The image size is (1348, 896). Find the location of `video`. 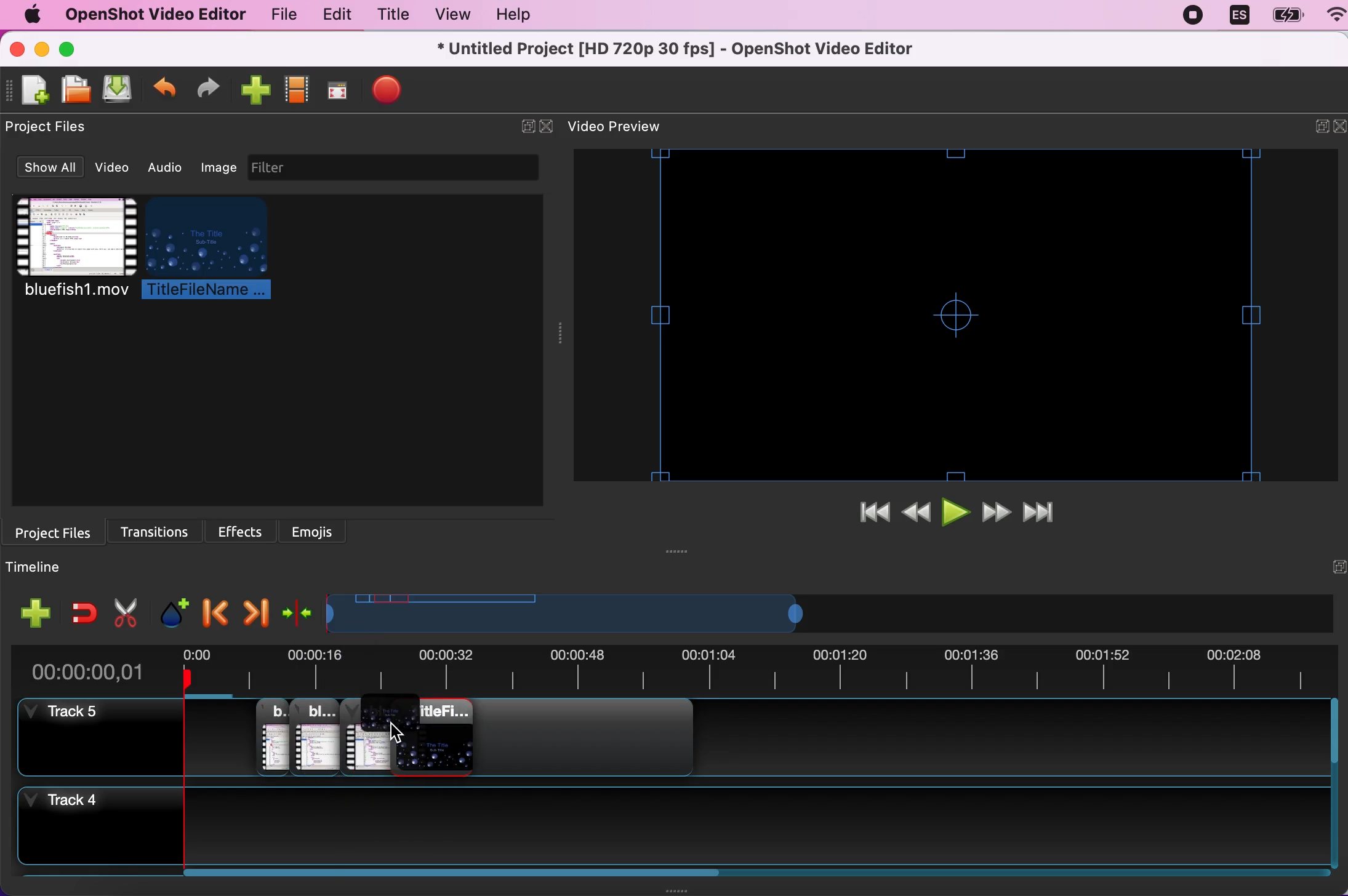

video is located at coordinates (116, 167).